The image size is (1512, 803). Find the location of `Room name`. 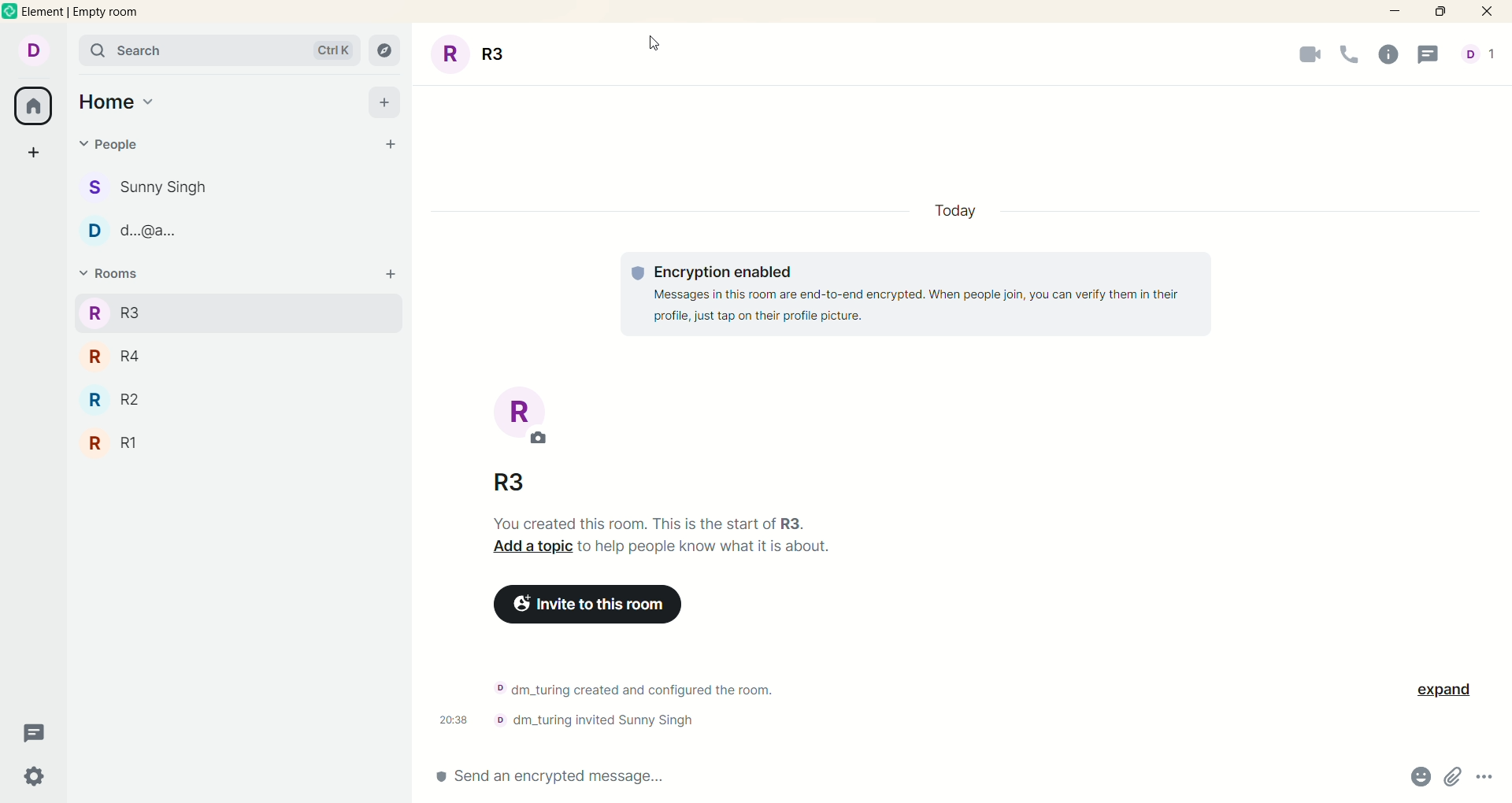

Room name is located at coordinates (473, 52).